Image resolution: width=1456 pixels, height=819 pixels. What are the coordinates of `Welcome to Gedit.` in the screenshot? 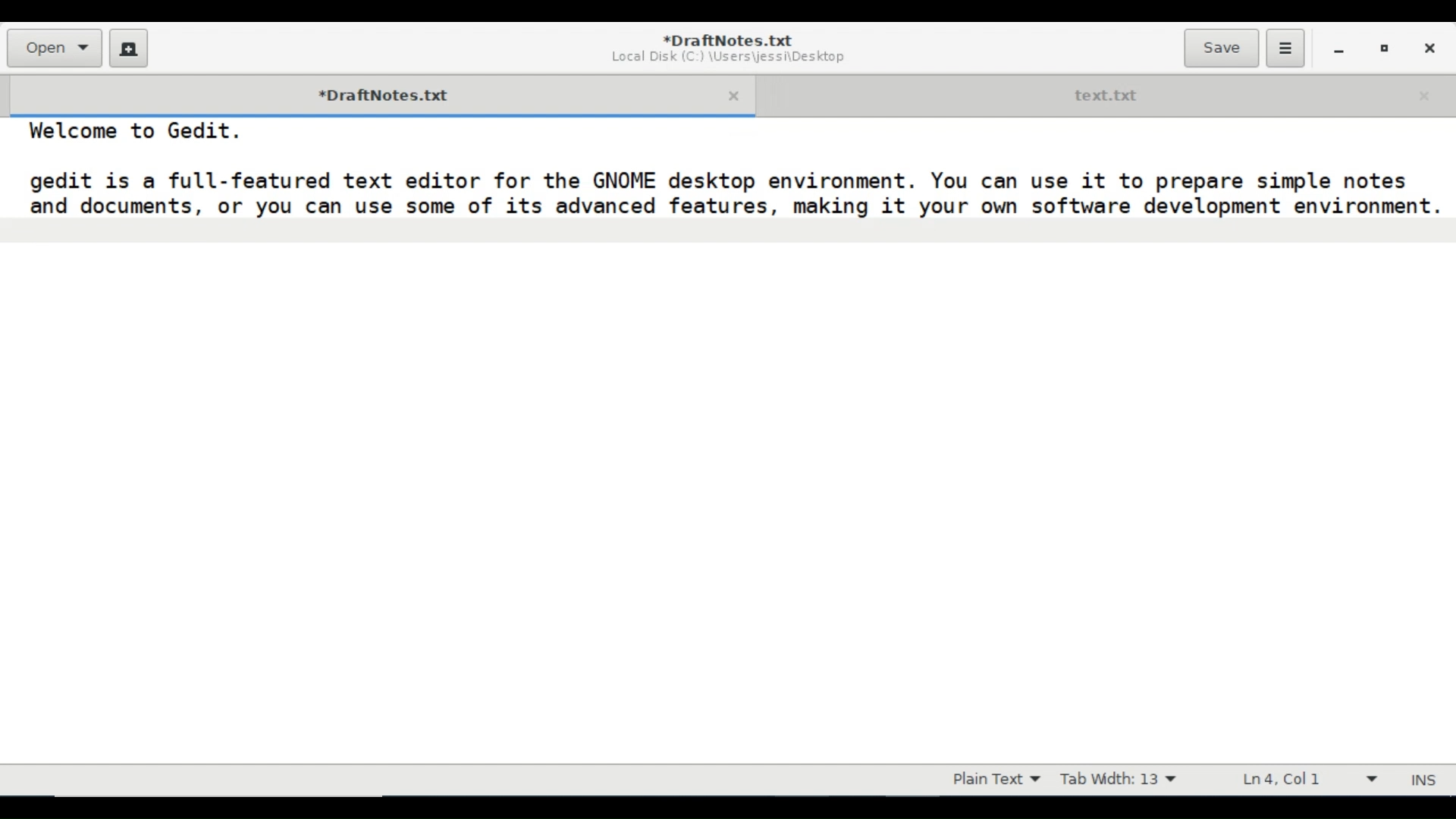 It's located at (130, 133).